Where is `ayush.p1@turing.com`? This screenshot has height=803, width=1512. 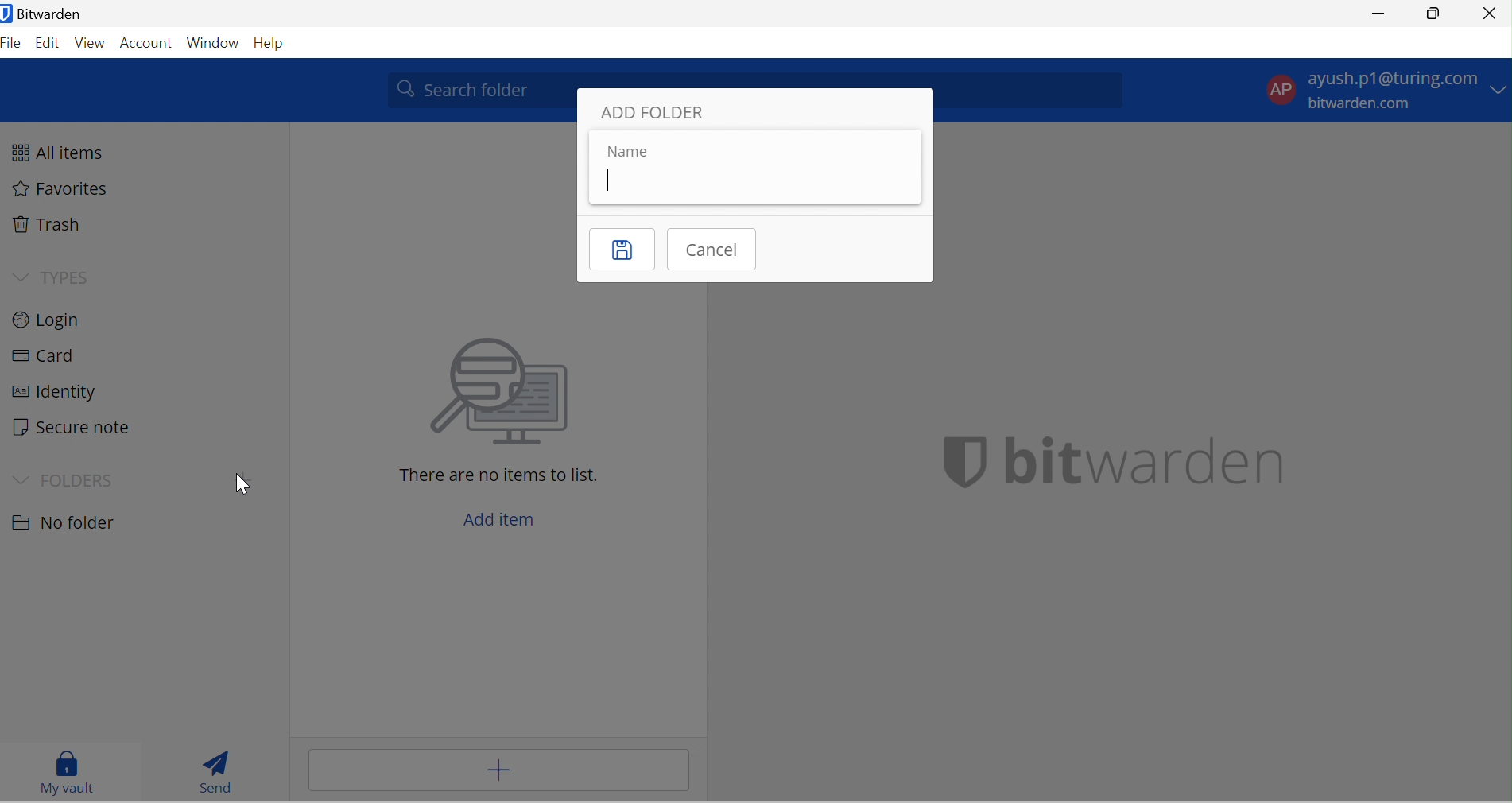
ayush.p1@turing.com is located at coordinates (1391, 78).